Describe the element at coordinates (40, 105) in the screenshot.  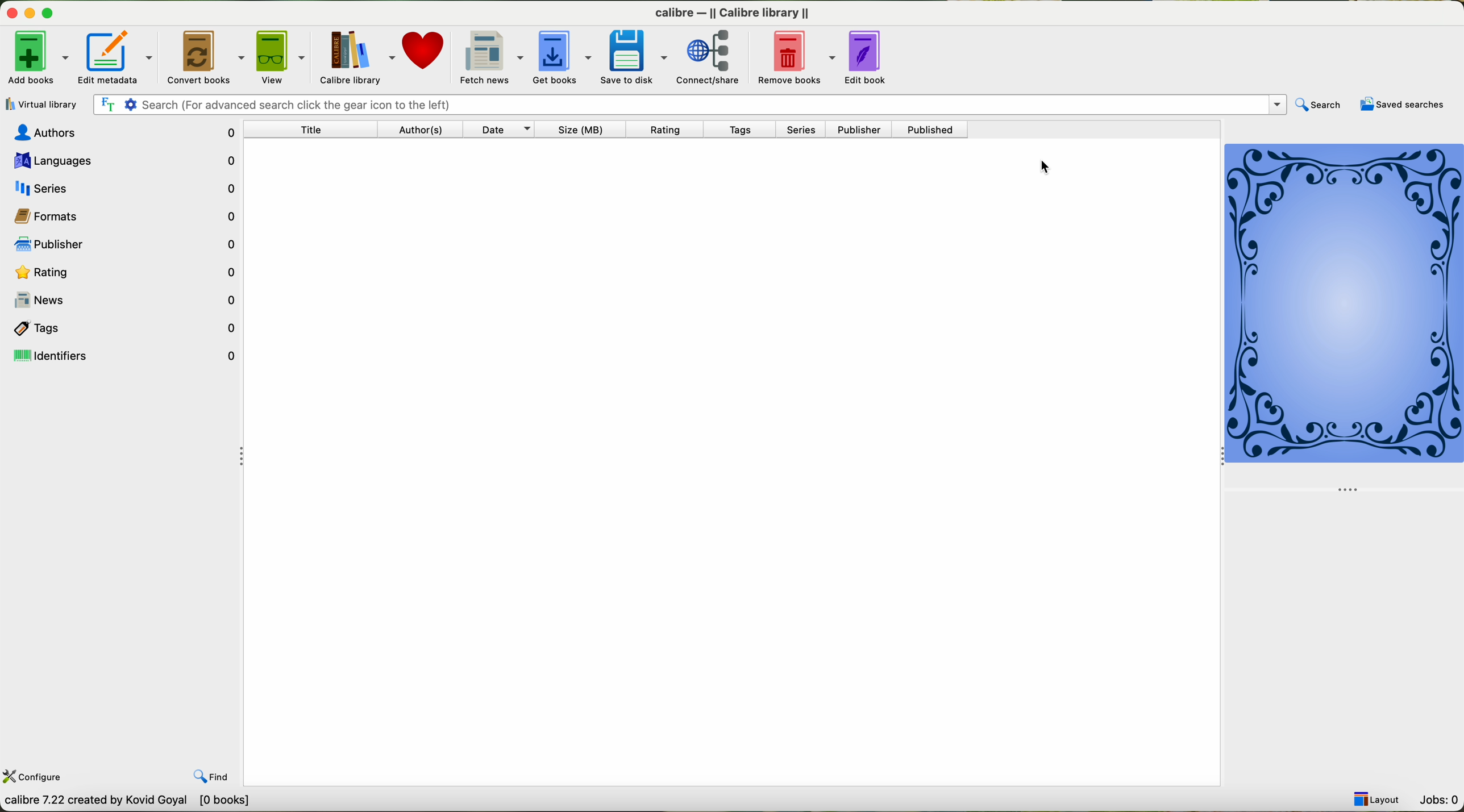
I see `virtual library` at that location.